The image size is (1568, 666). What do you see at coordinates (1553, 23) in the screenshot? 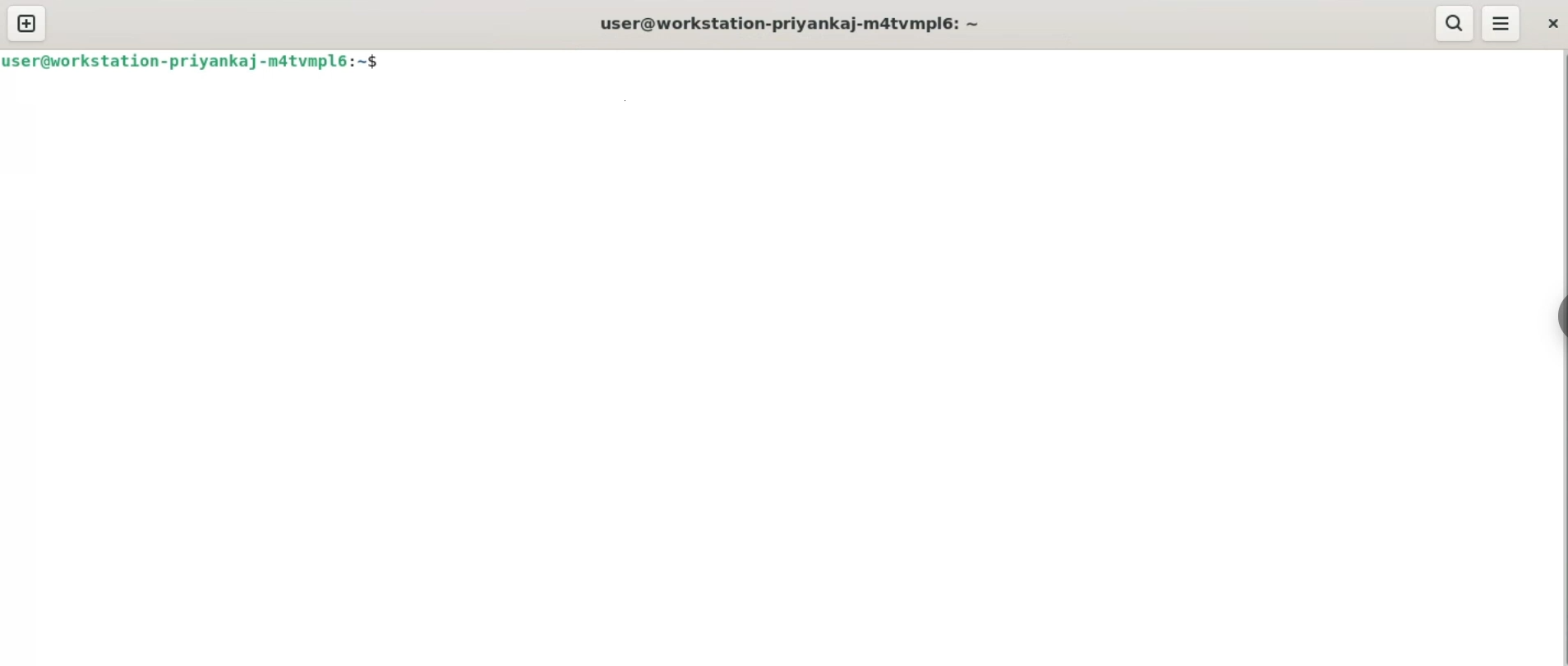
I see `close` at bounding box center [1553, 23].